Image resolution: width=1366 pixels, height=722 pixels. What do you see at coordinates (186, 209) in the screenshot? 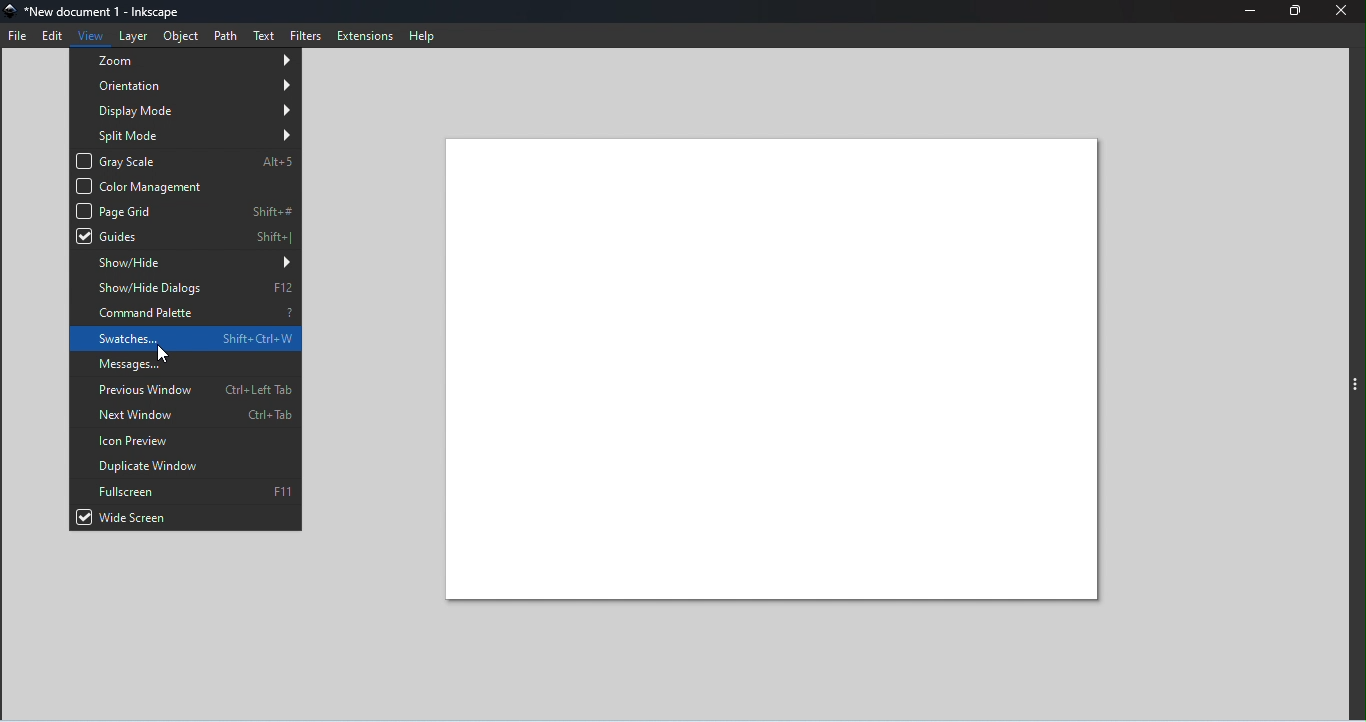
I see `Page grid` at bounding box center [186, 209].